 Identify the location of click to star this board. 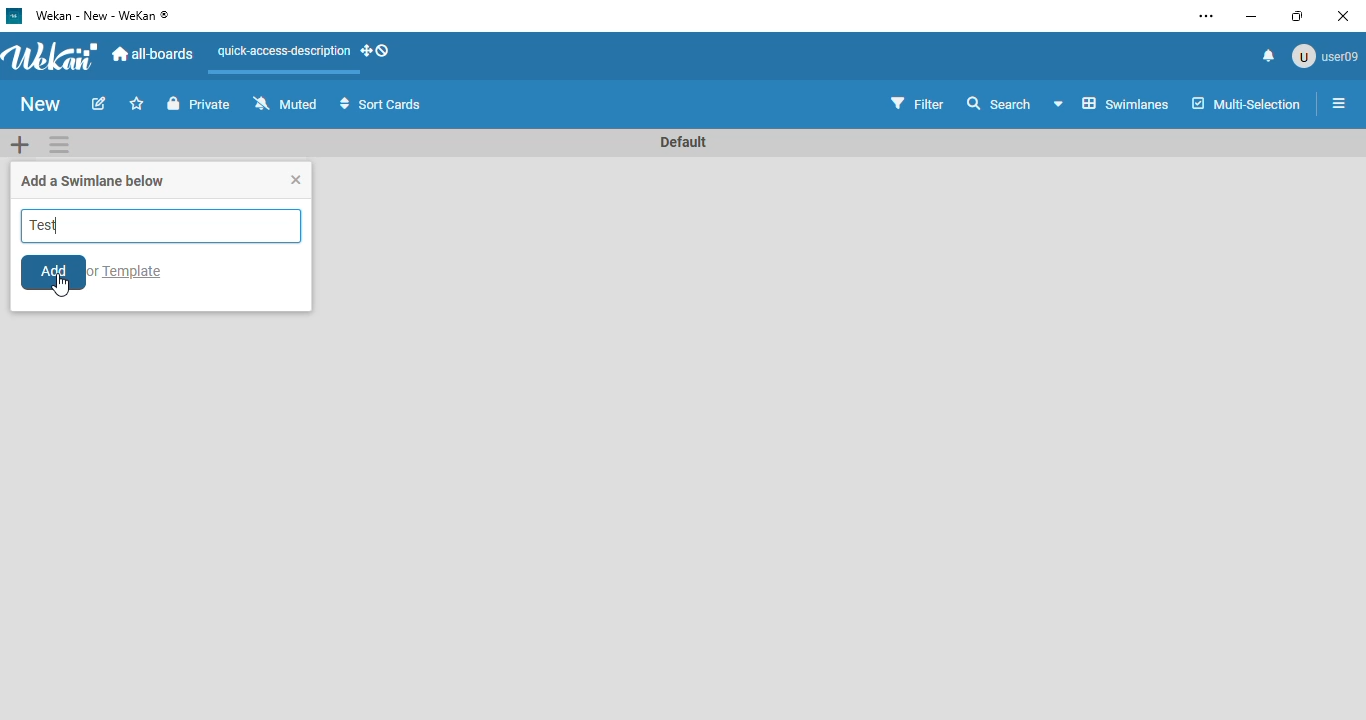
(138, 103).